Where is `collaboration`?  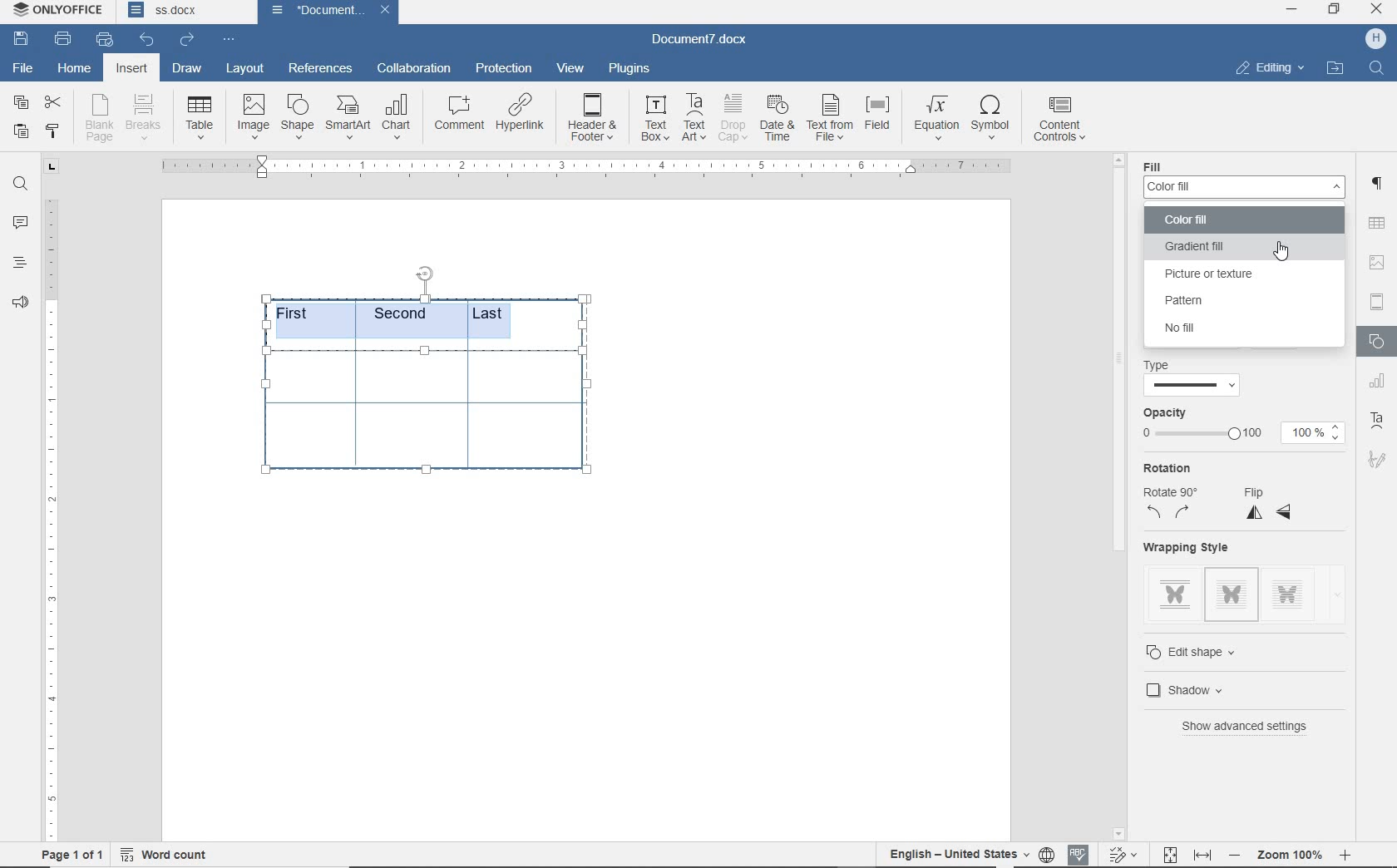 collaboration is located at coordinates (416, 69).